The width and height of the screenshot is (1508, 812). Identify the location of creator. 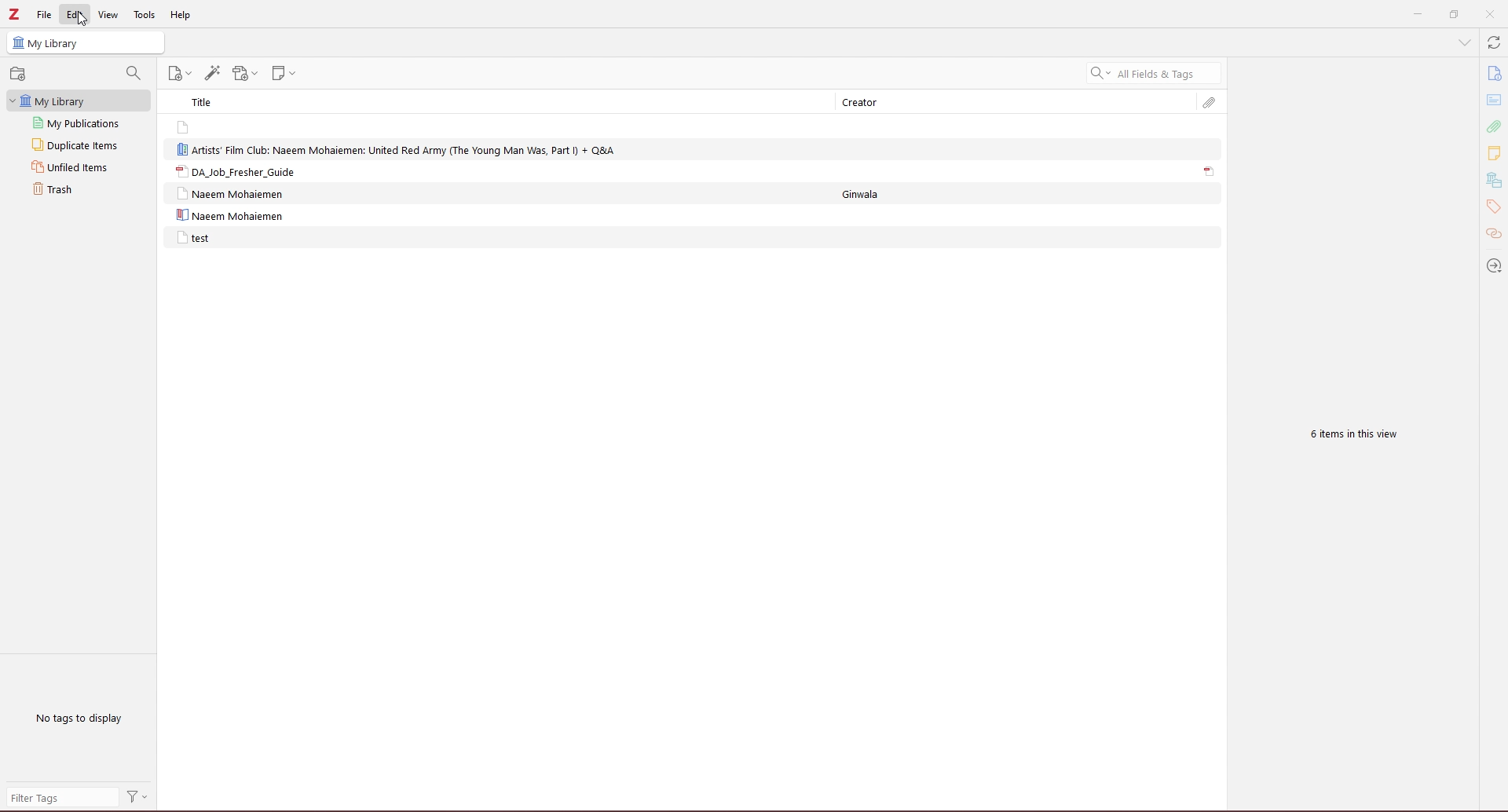
(868, 103).